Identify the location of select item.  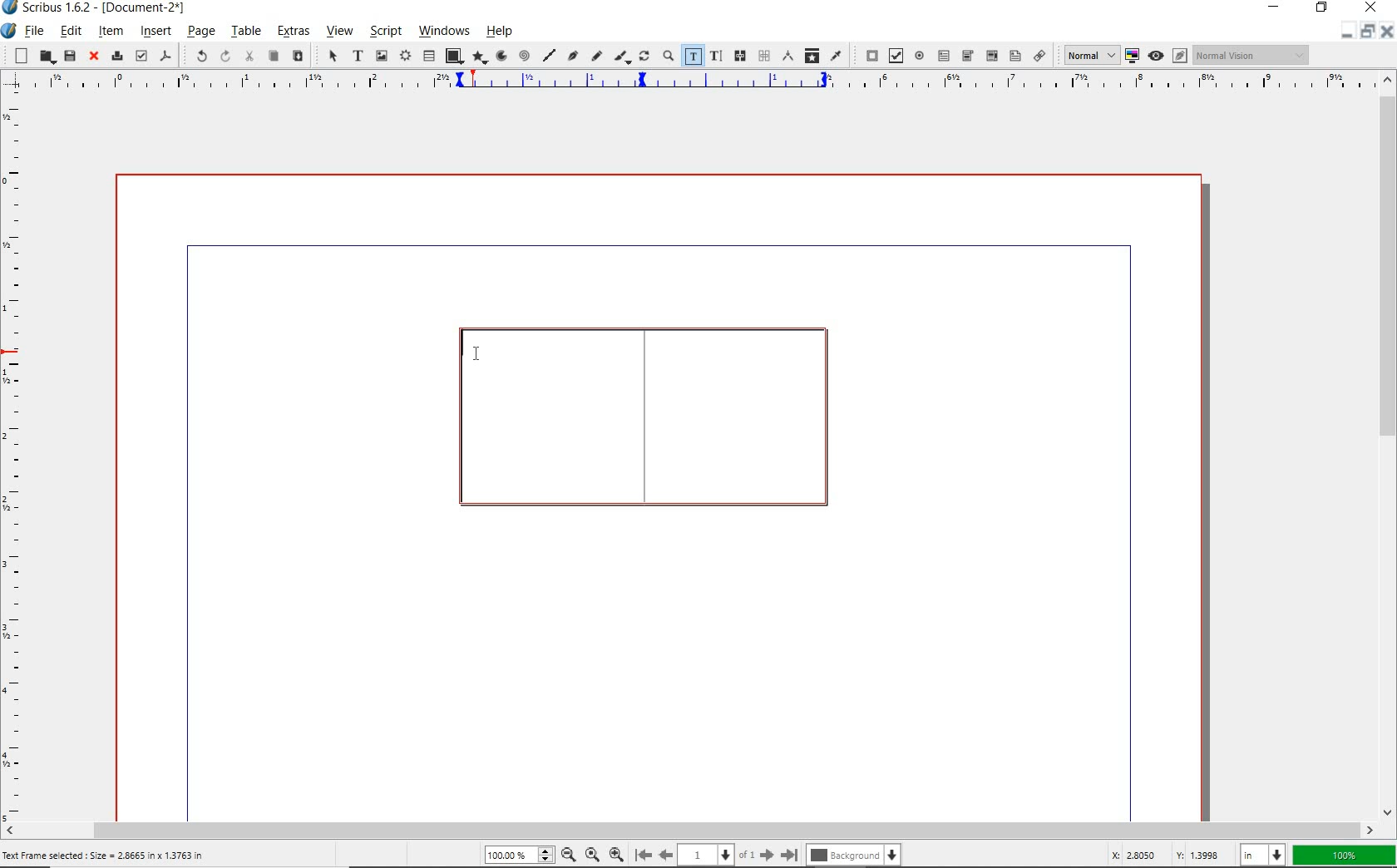
(327, 55).